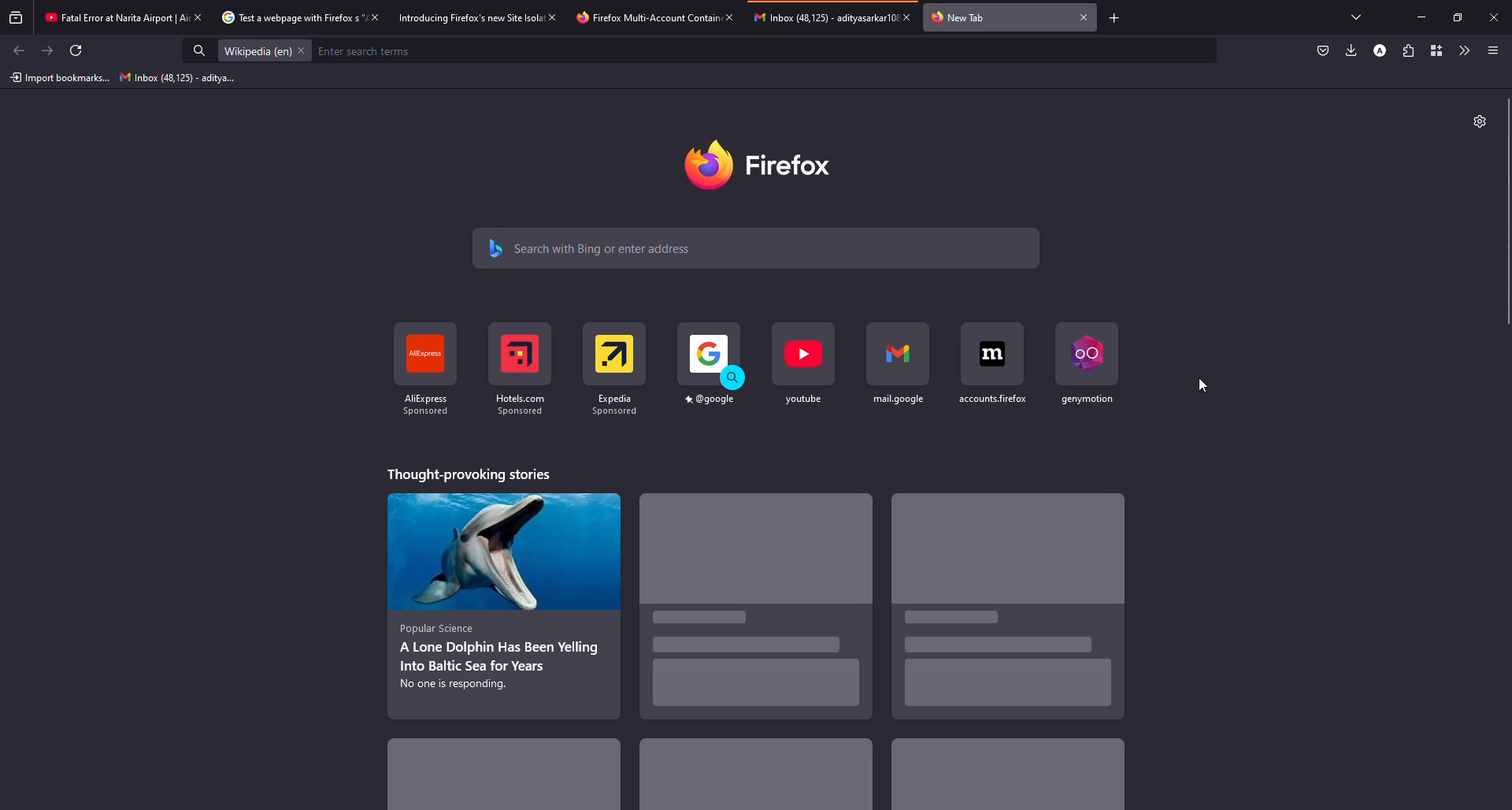 This screenshot has height=810, width=1512. Describe the element at coordinates (464, 20) in the screenshot. I see `Introducing Firefox's new site` at that location.